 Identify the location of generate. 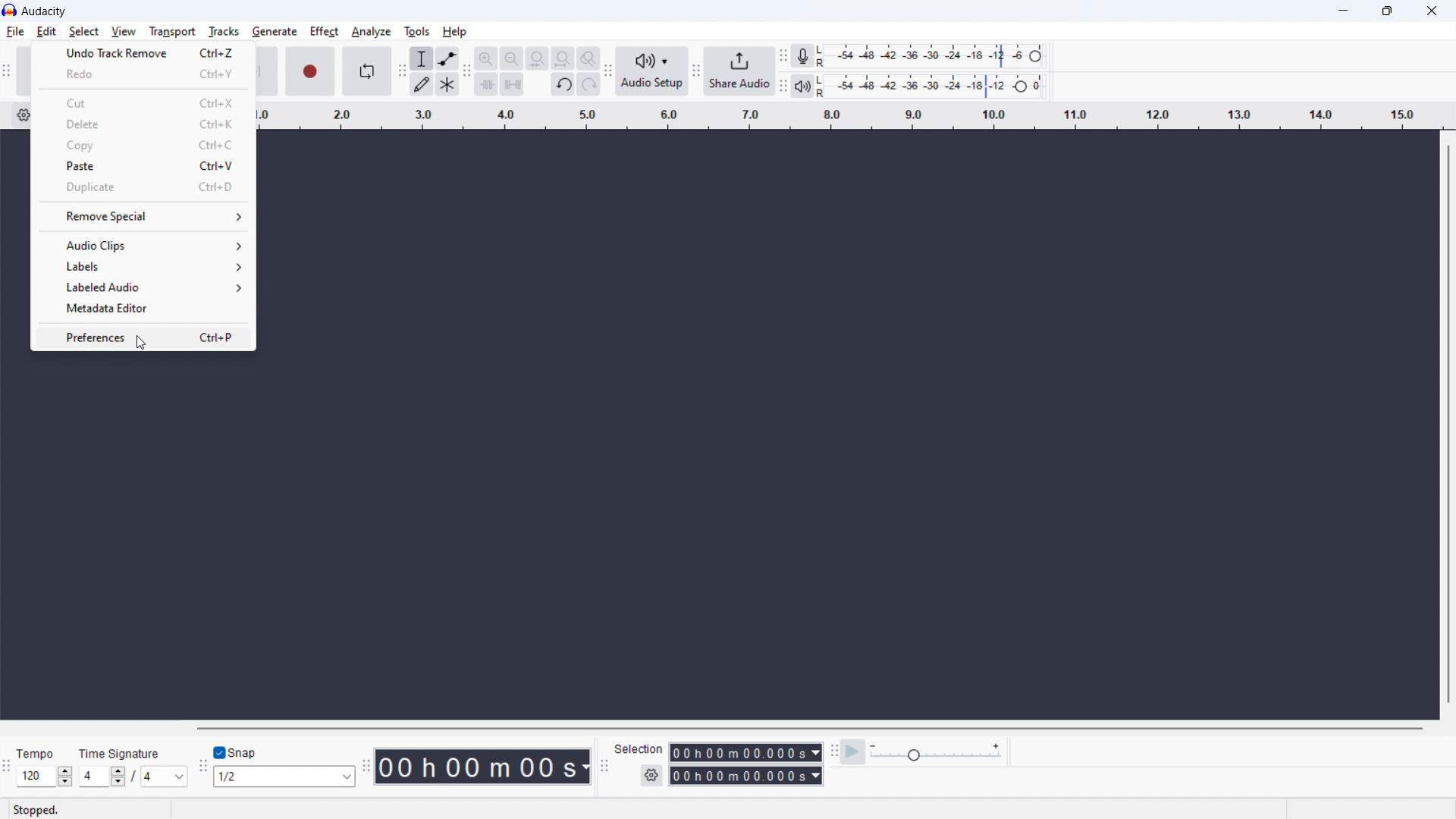
(275, 31).